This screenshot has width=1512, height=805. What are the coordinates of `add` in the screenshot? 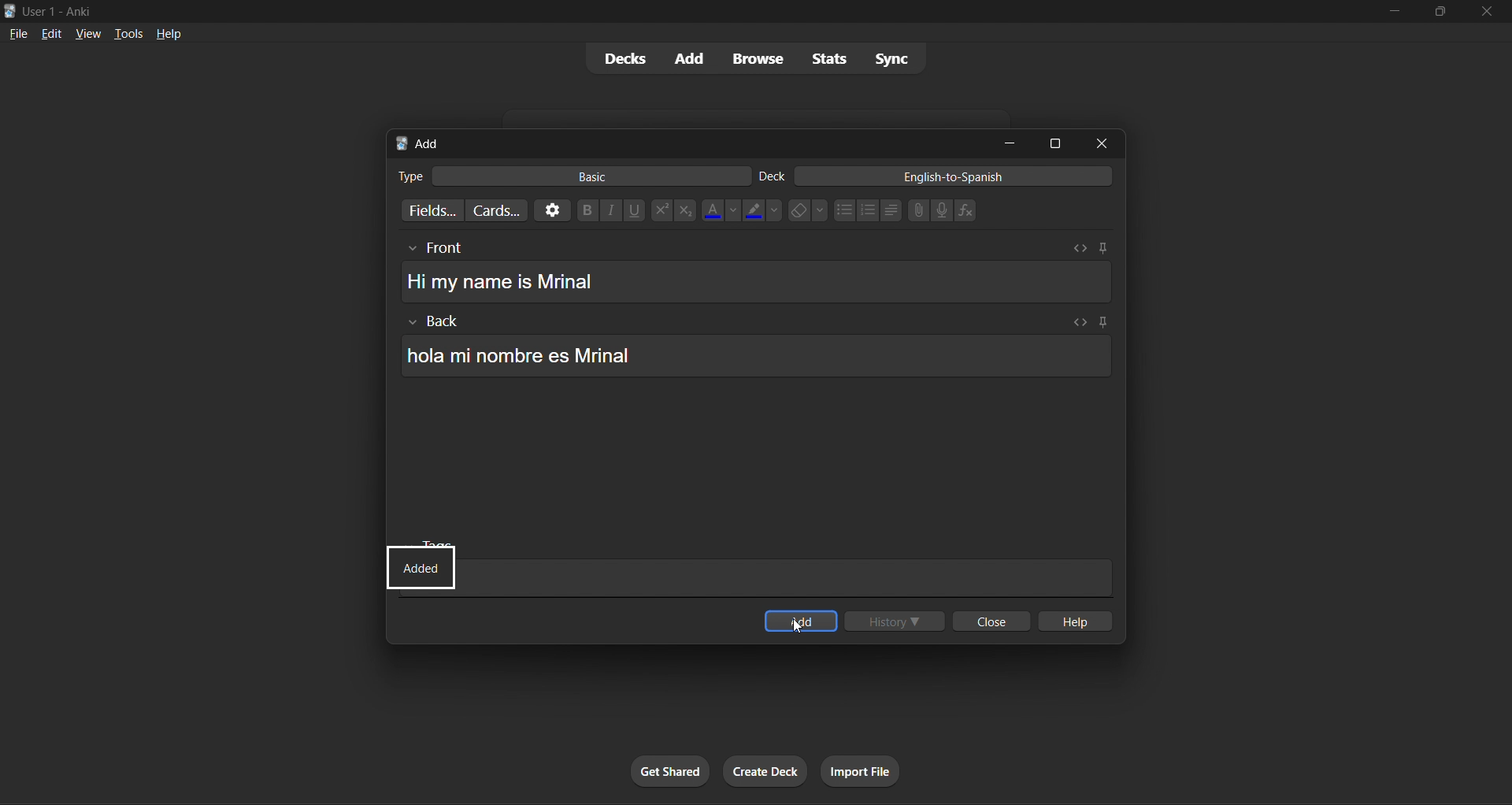 It's located at (690, 57).